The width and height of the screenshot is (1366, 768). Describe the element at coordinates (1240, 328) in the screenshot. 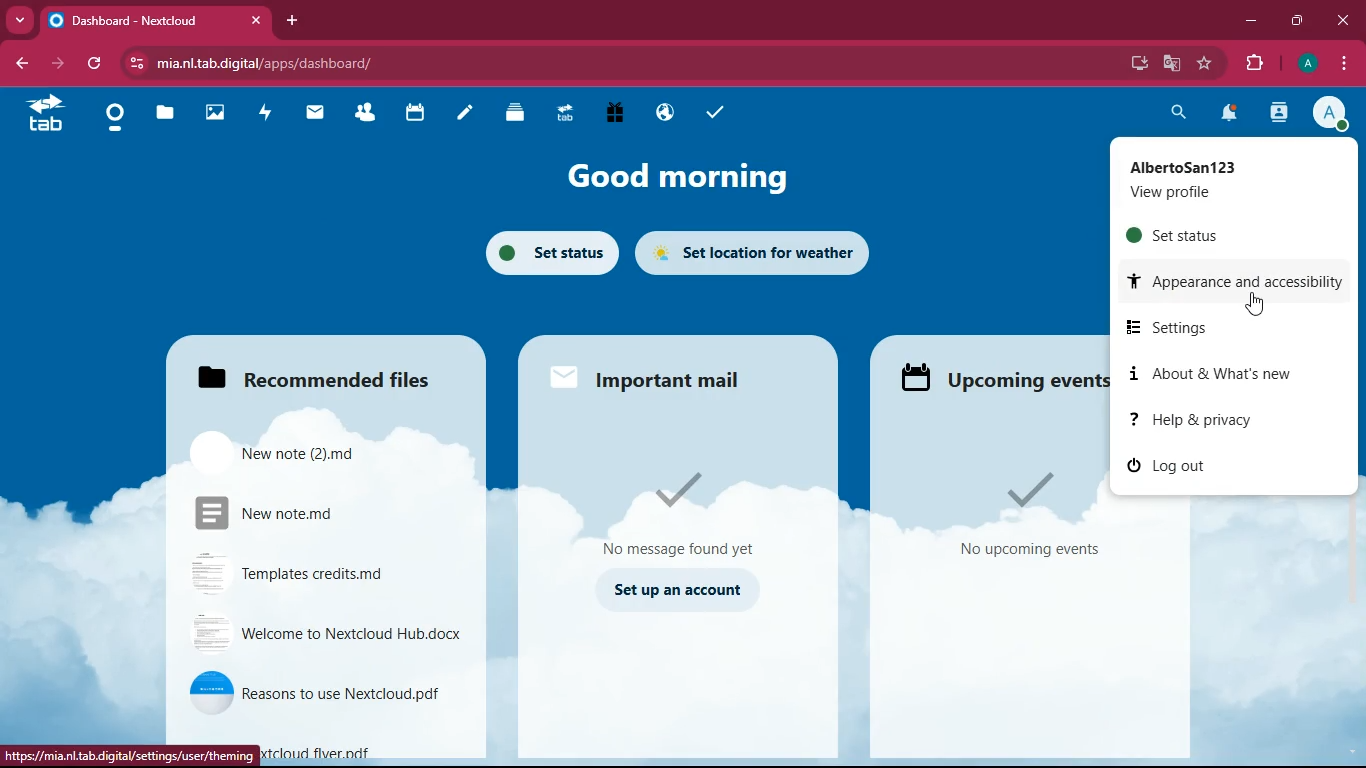

I see `settings` at that location.